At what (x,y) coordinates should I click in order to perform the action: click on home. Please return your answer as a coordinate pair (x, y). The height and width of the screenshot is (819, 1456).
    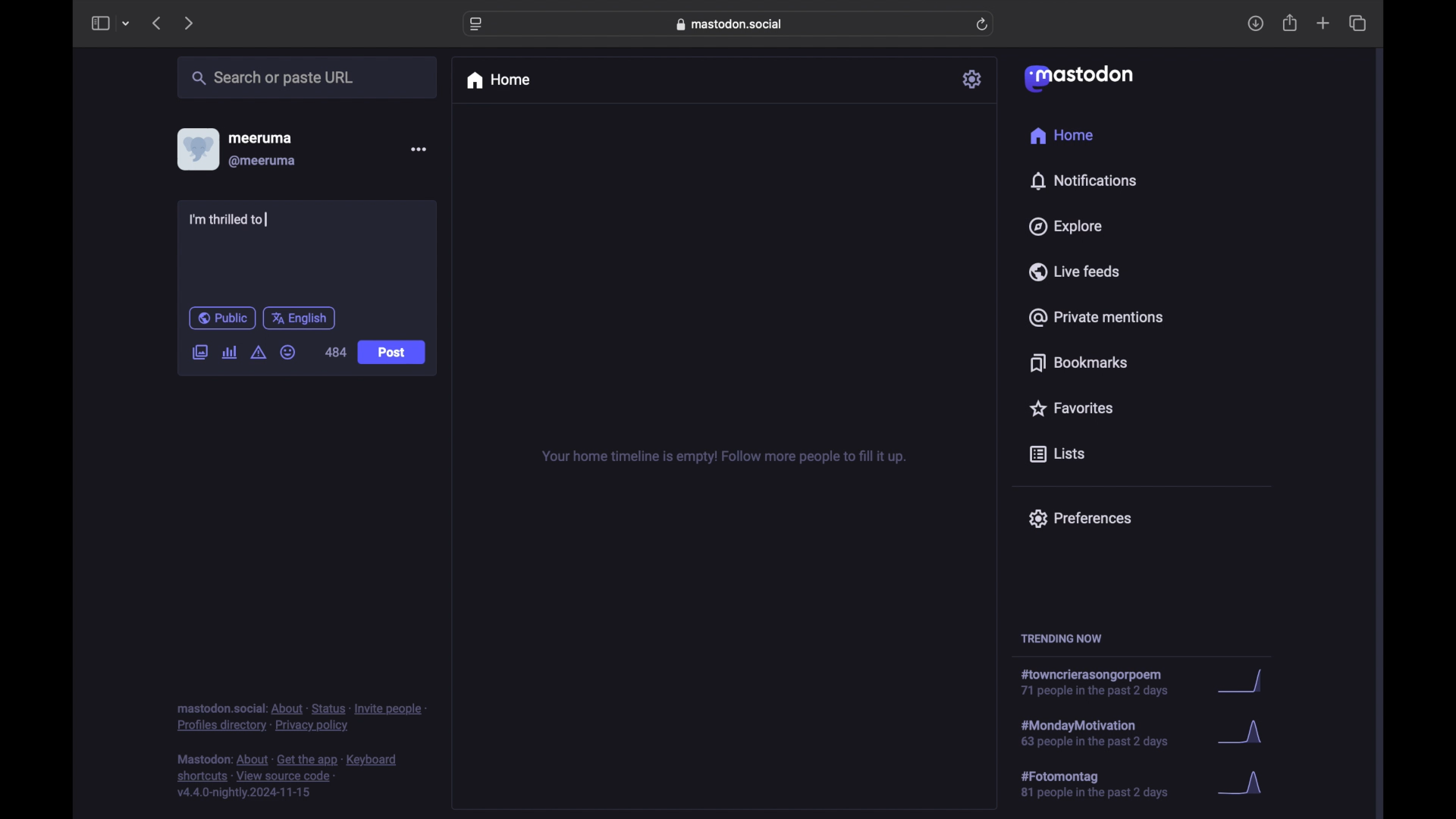
    Looking at the image, I should click on (497, 80).